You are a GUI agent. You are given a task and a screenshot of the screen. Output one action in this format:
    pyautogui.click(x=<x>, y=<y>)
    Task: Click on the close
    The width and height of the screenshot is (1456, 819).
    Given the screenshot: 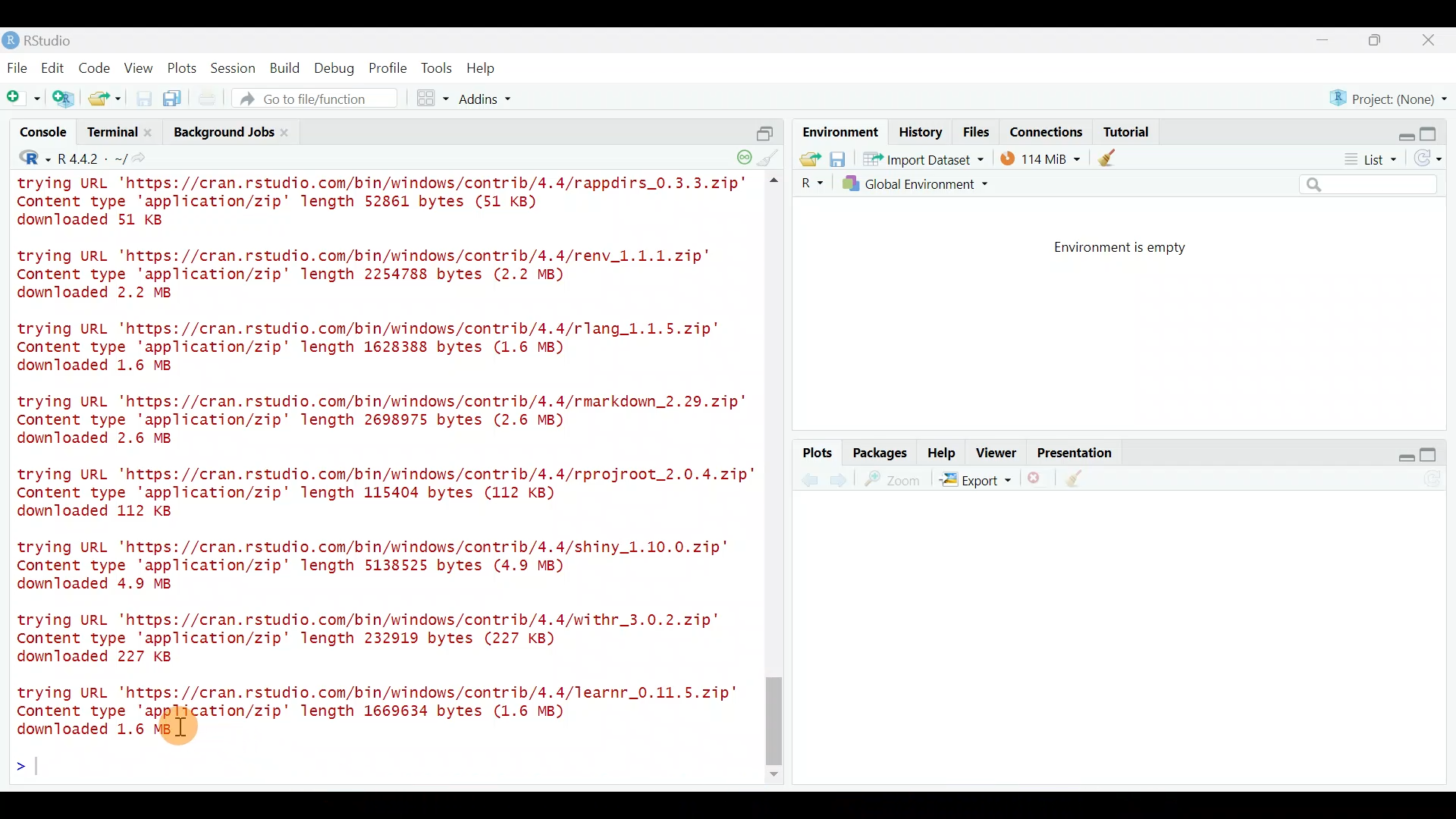 What is the action you would take?
    pyautogui.click(x=1429, y=42)
    